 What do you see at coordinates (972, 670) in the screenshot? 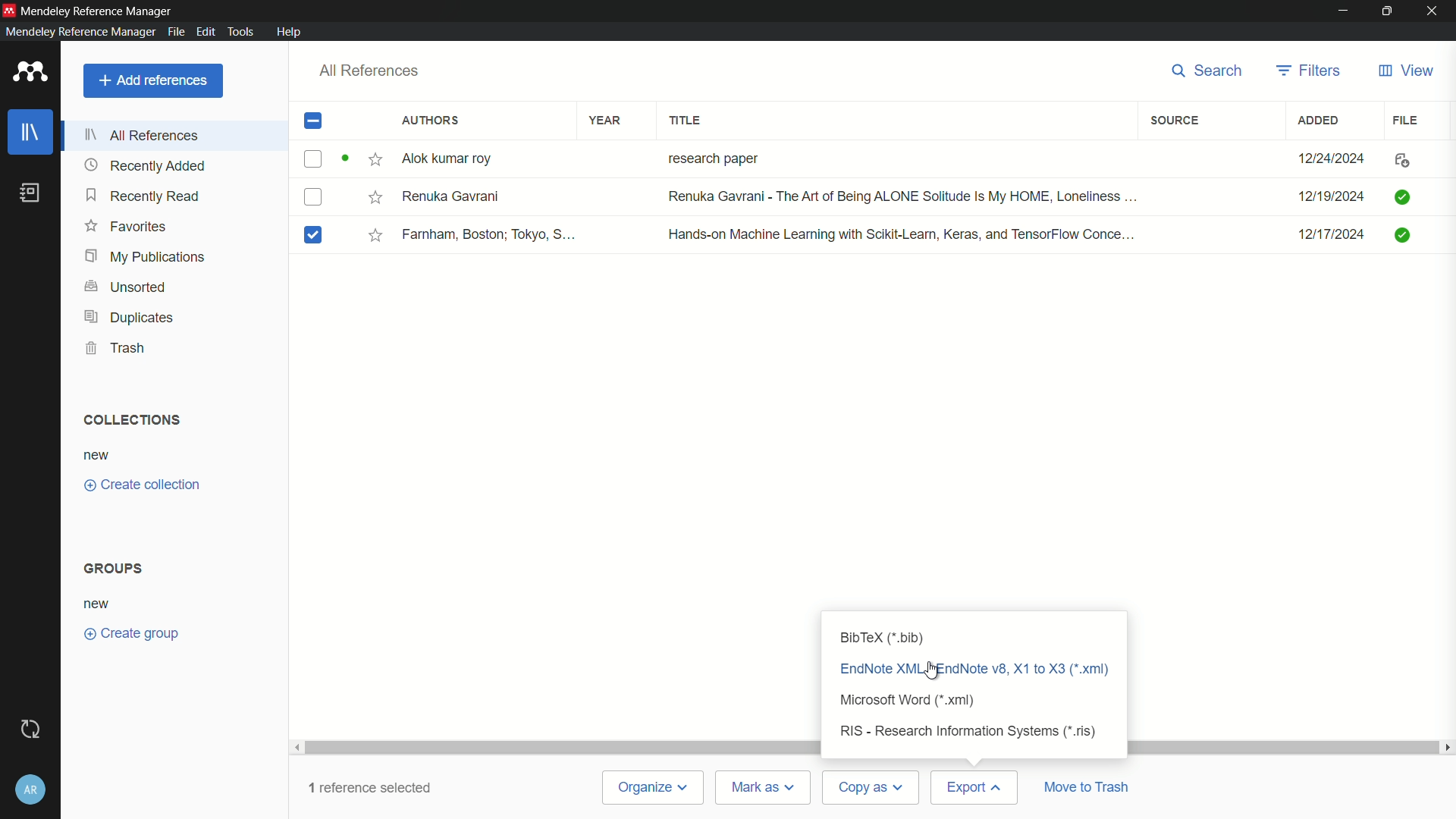
I see `xml format` at bounding box center [972, 670].